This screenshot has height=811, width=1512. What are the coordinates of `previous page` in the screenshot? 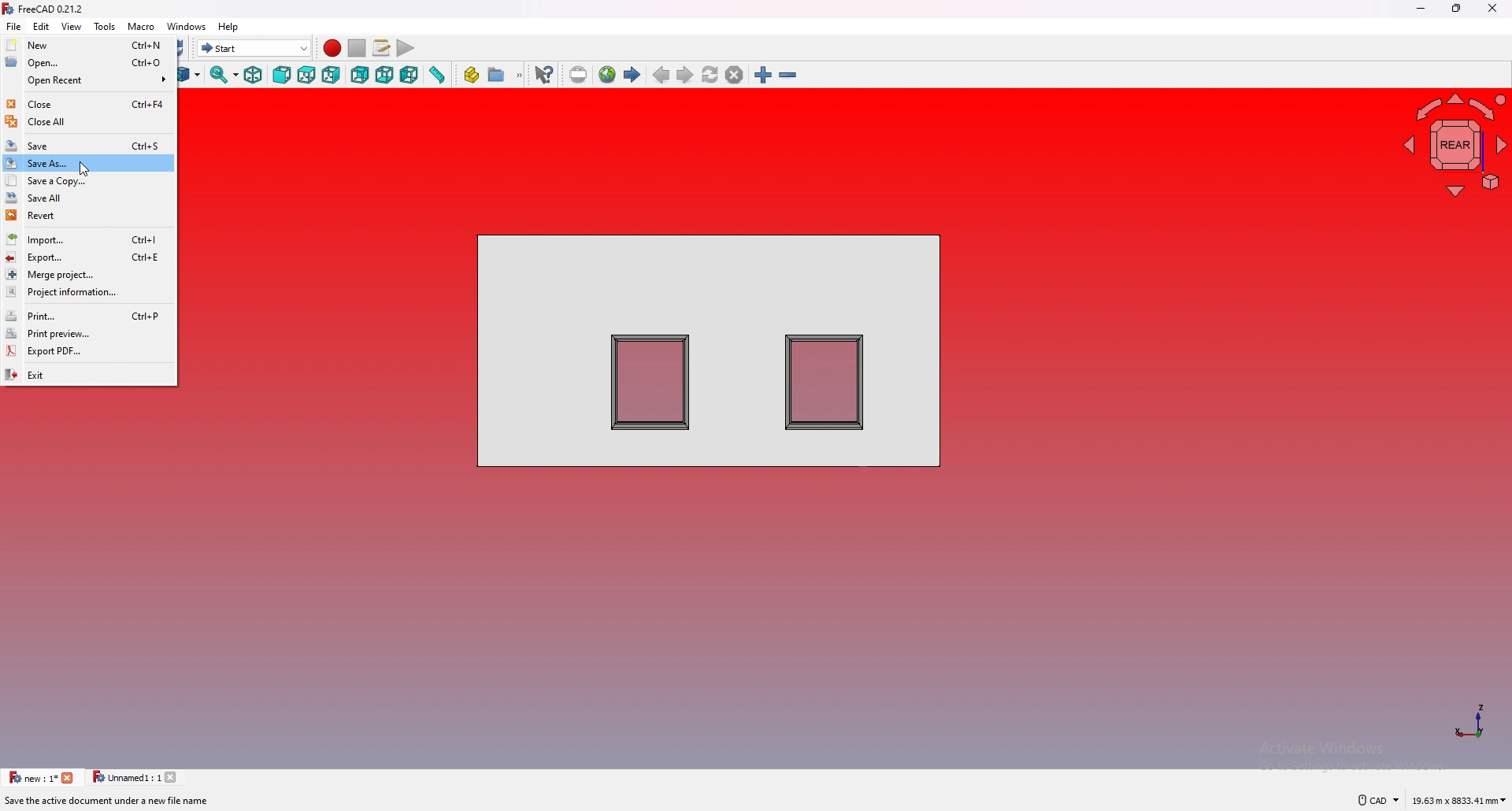 It's located at (661, 75).